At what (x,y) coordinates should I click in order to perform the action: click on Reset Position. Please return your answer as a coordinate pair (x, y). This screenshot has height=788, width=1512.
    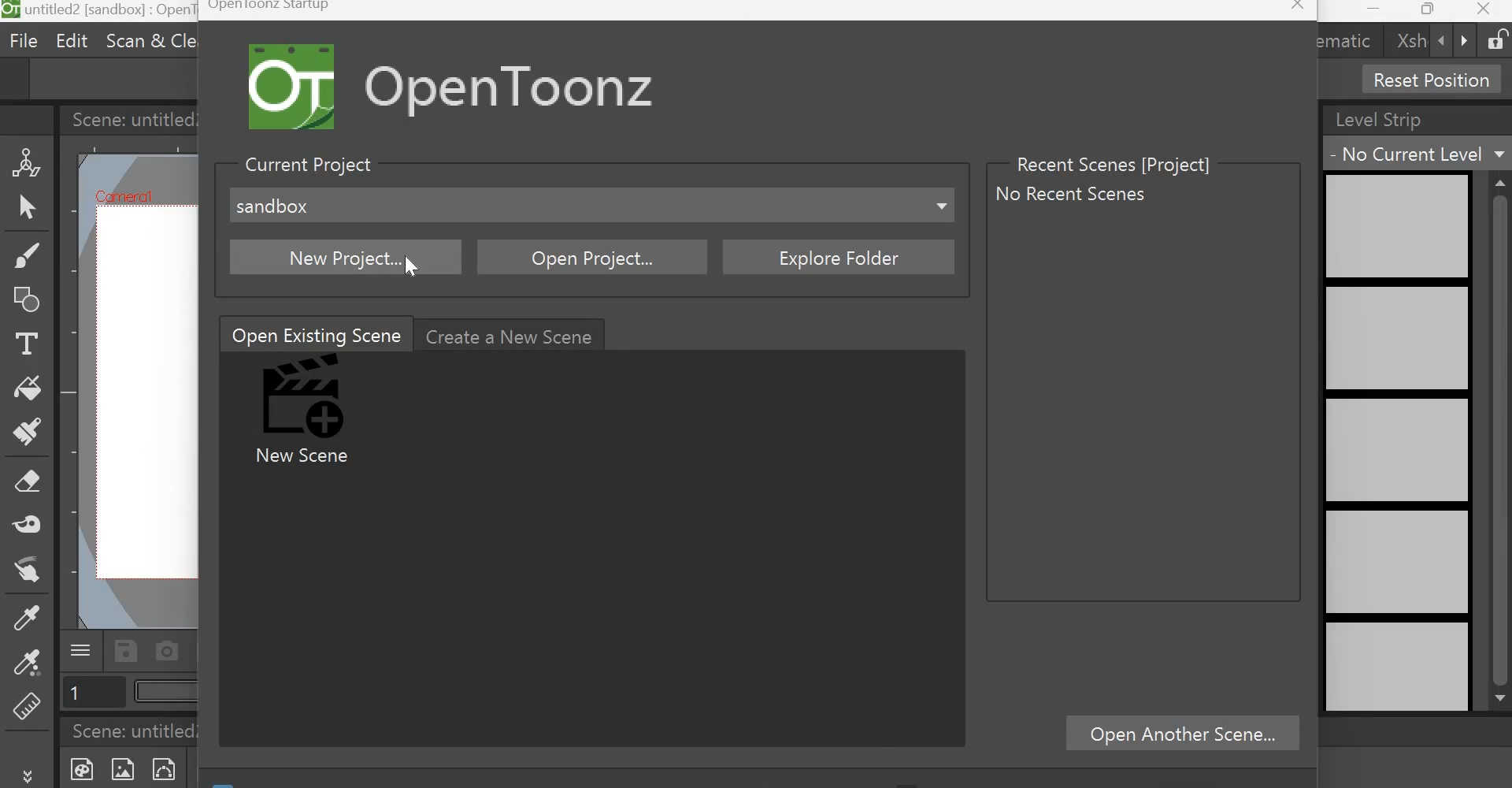
    Looking at the image, I should click on (1437, 80).